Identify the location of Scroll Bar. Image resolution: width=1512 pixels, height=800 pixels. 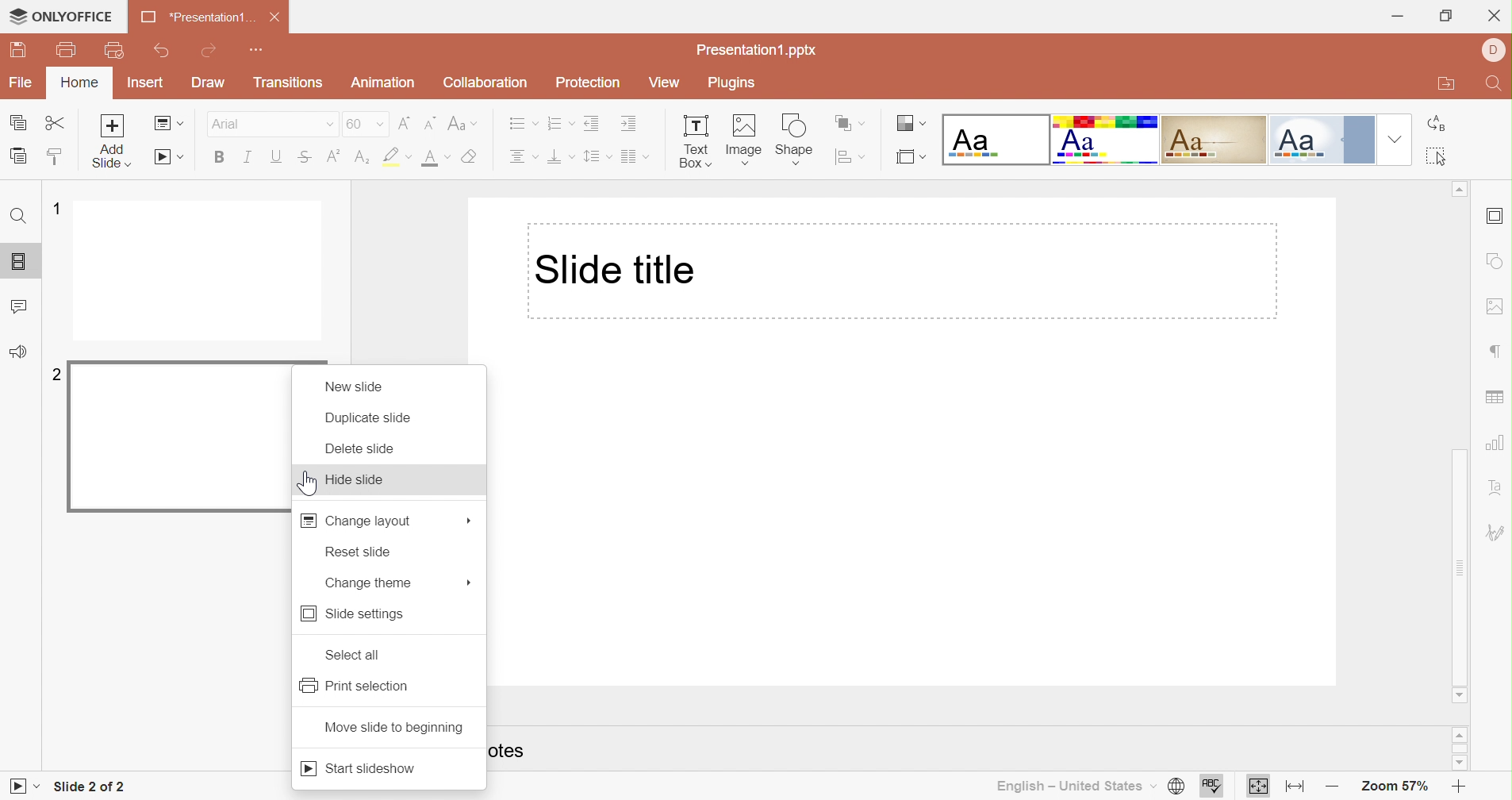
(1461, 748).